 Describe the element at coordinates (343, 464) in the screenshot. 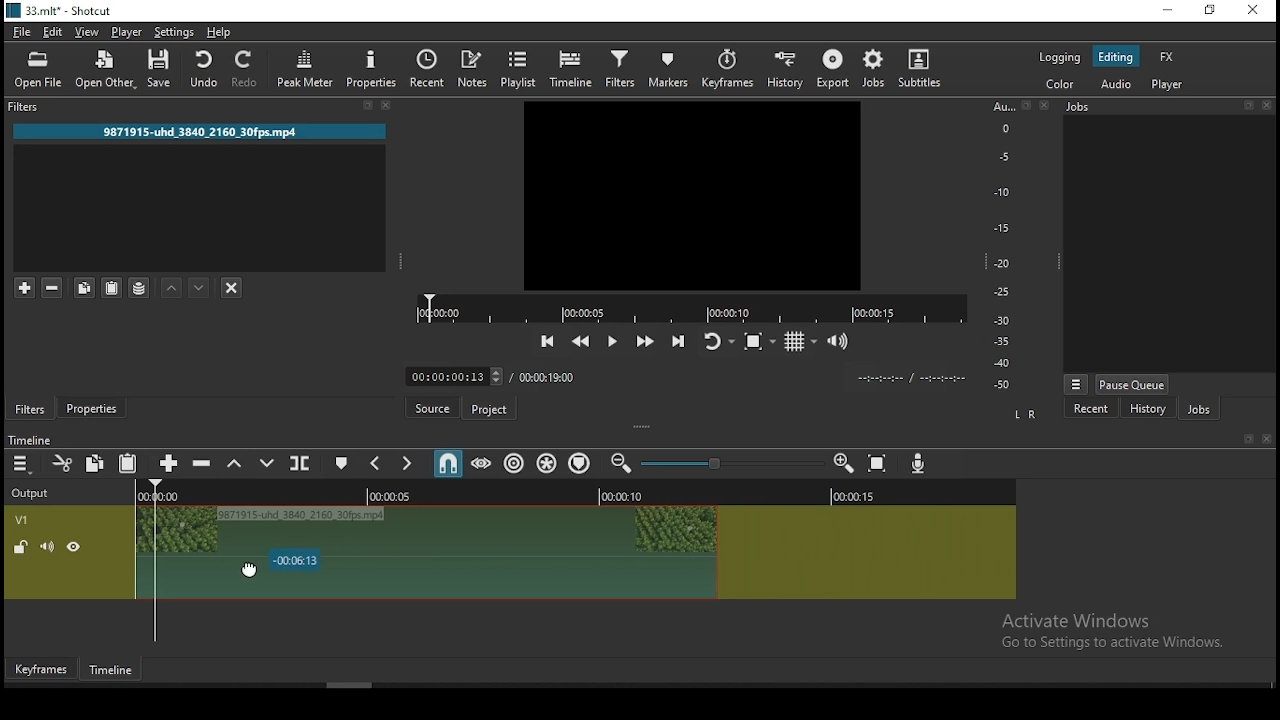

I see `create/edit marker` at that location.